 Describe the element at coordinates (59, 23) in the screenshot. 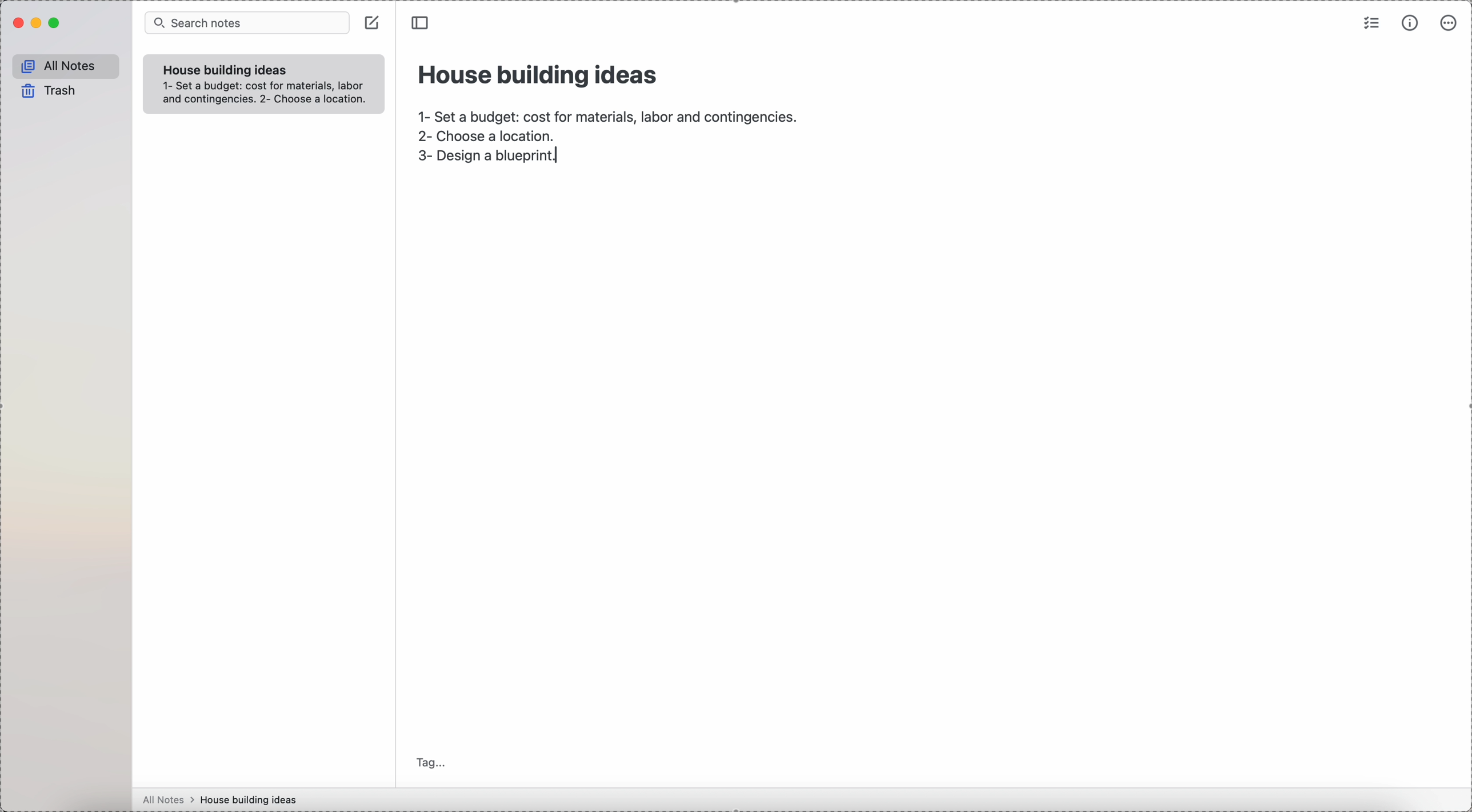

I see `maximize Simplenote` at that location.